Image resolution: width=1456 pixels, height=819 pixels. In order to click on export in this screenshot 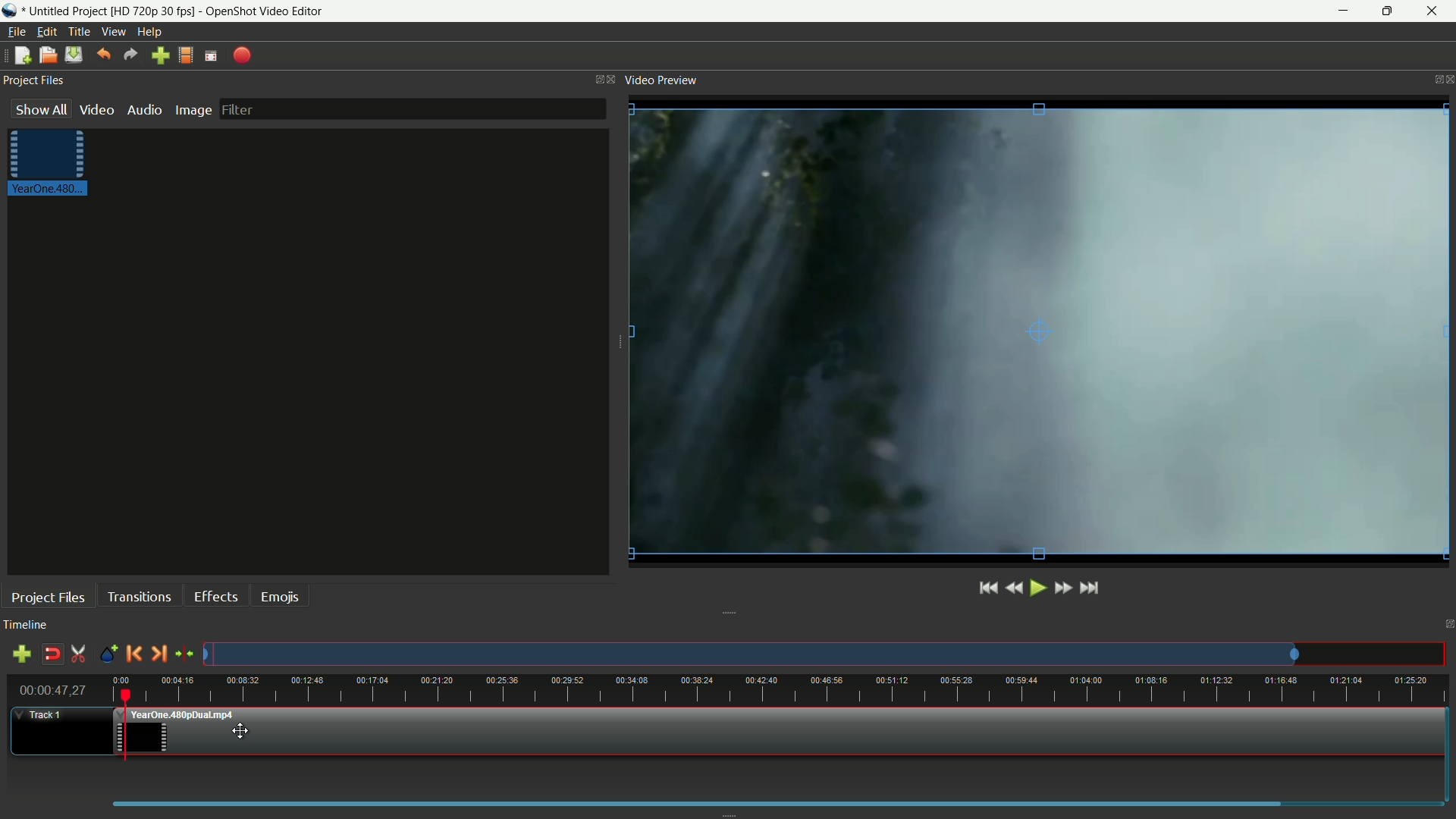, I will do `click(242, 56)`.